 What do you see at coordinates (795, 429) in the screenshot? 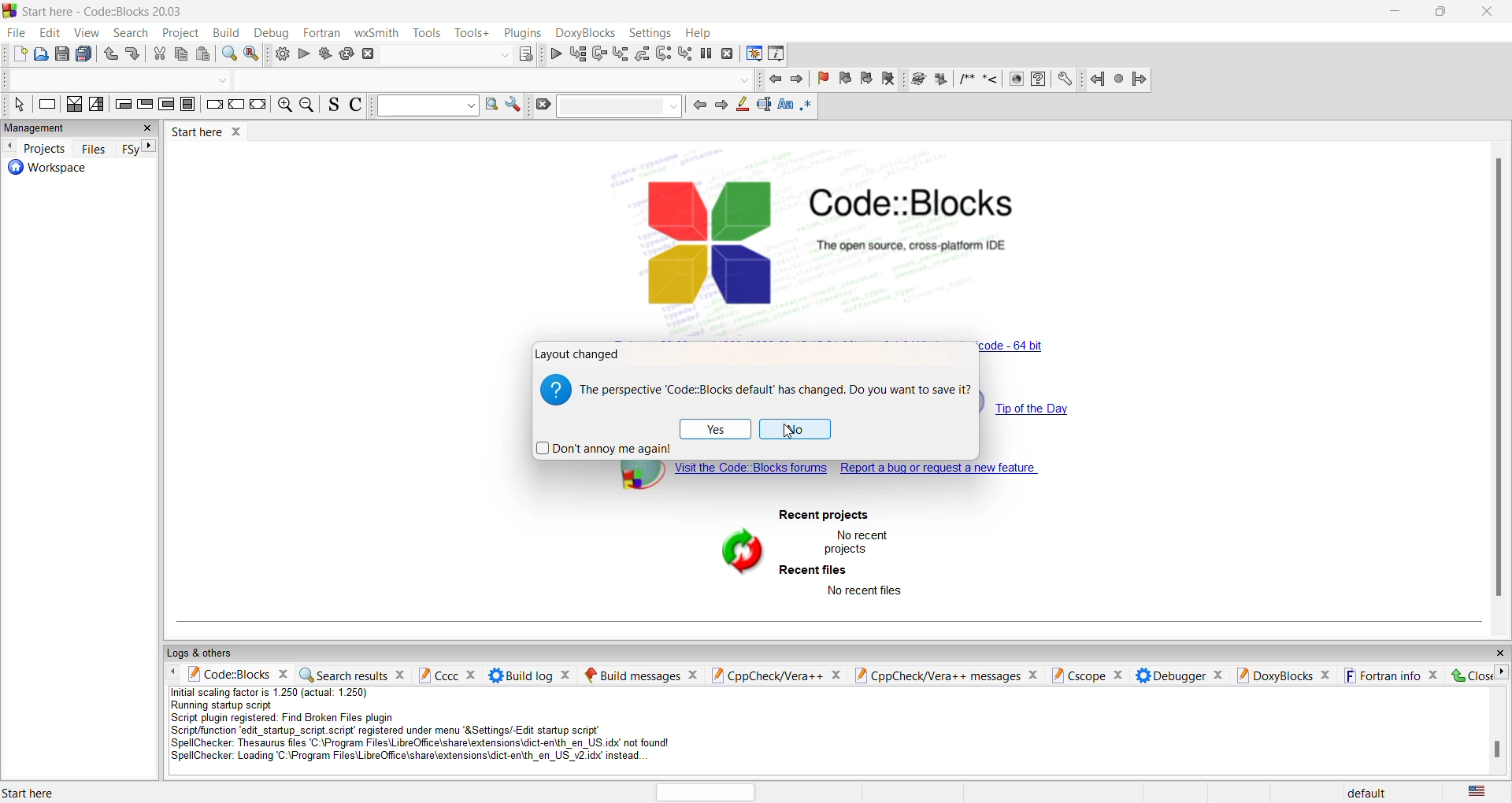
I see `No` at bounding box center [795, 429].